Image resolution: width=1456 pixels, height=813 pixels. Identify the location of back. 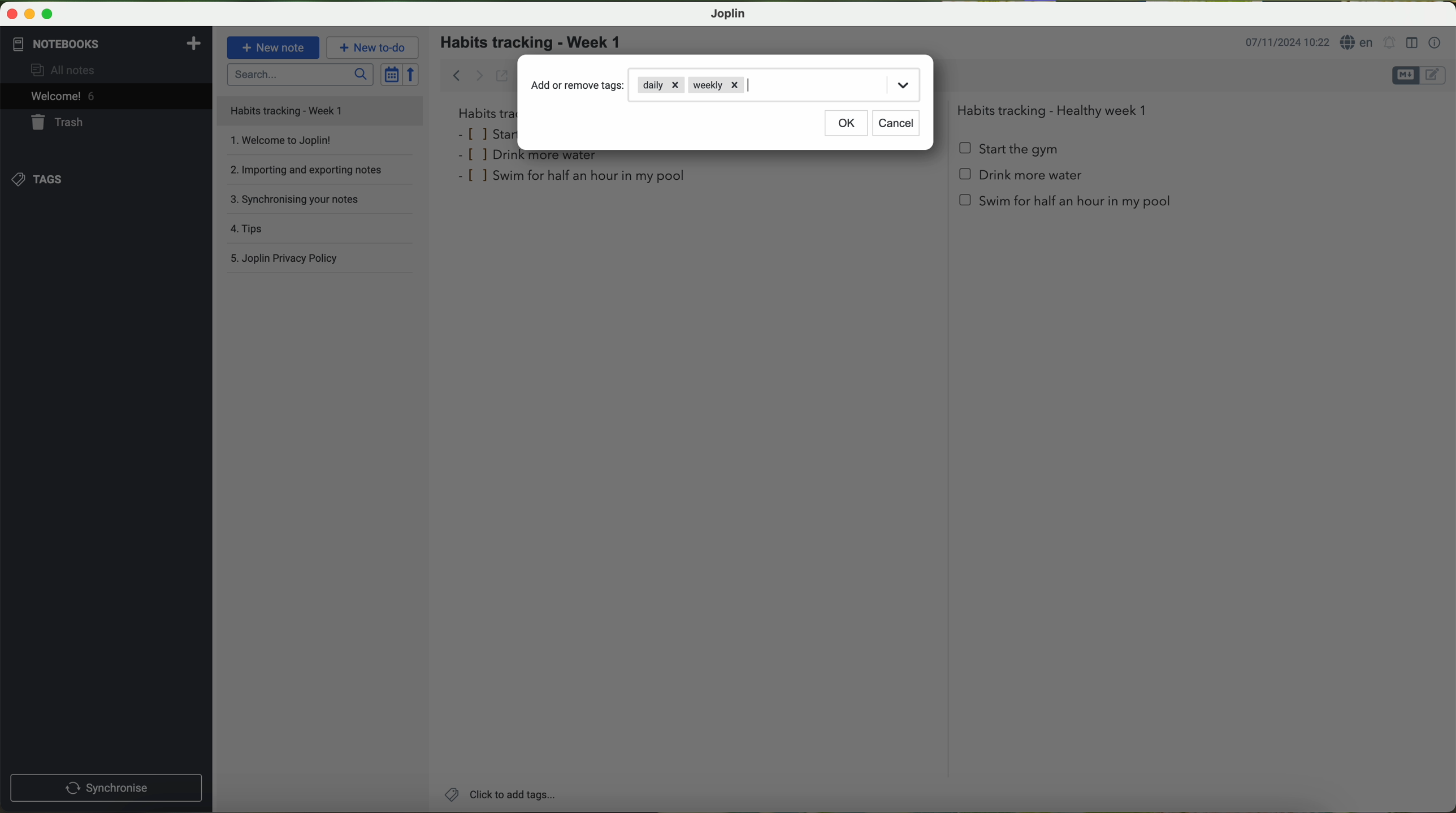
(453, 74).